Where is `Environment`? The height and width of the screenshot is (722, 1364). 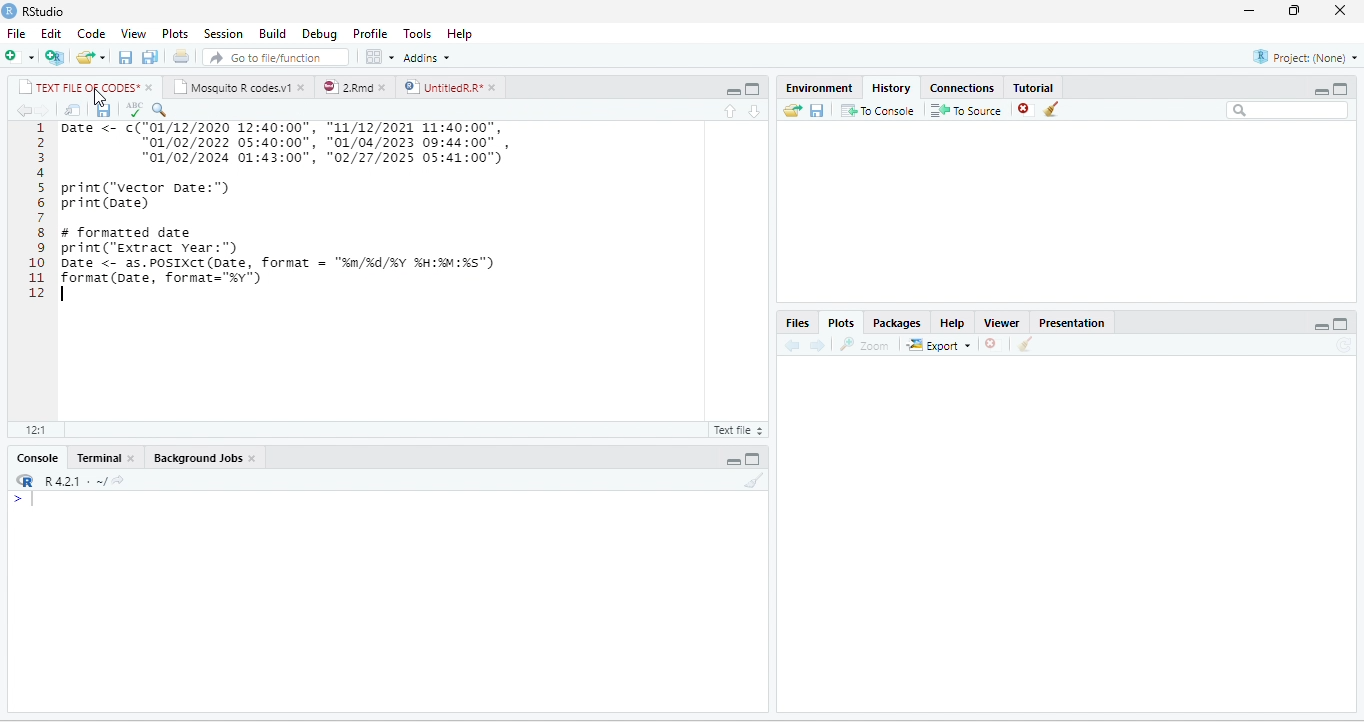
Environment is located at coordinates (820, 88).